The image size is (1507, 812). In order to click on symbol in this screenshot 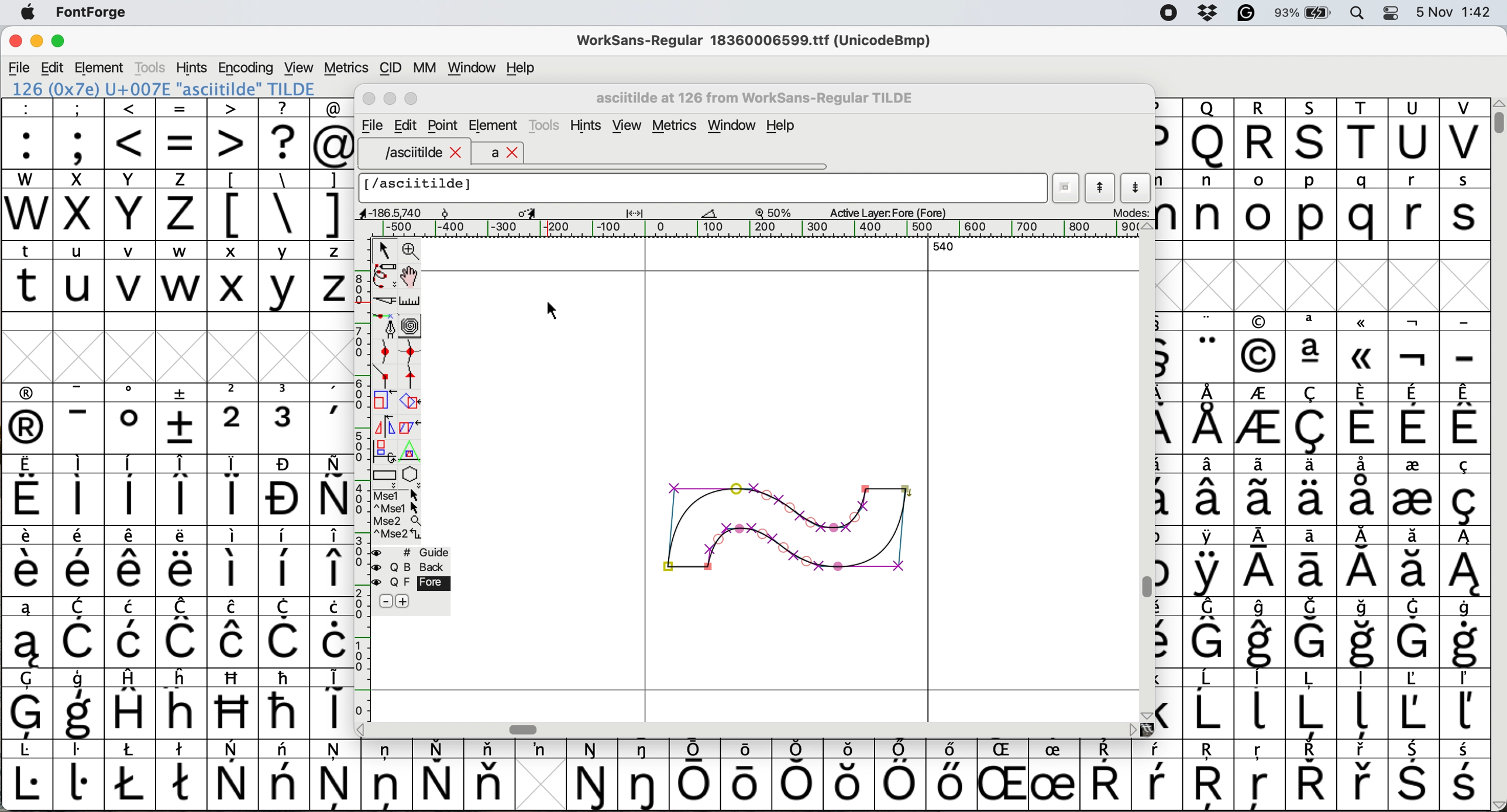, I will do `click(233, 560)`.